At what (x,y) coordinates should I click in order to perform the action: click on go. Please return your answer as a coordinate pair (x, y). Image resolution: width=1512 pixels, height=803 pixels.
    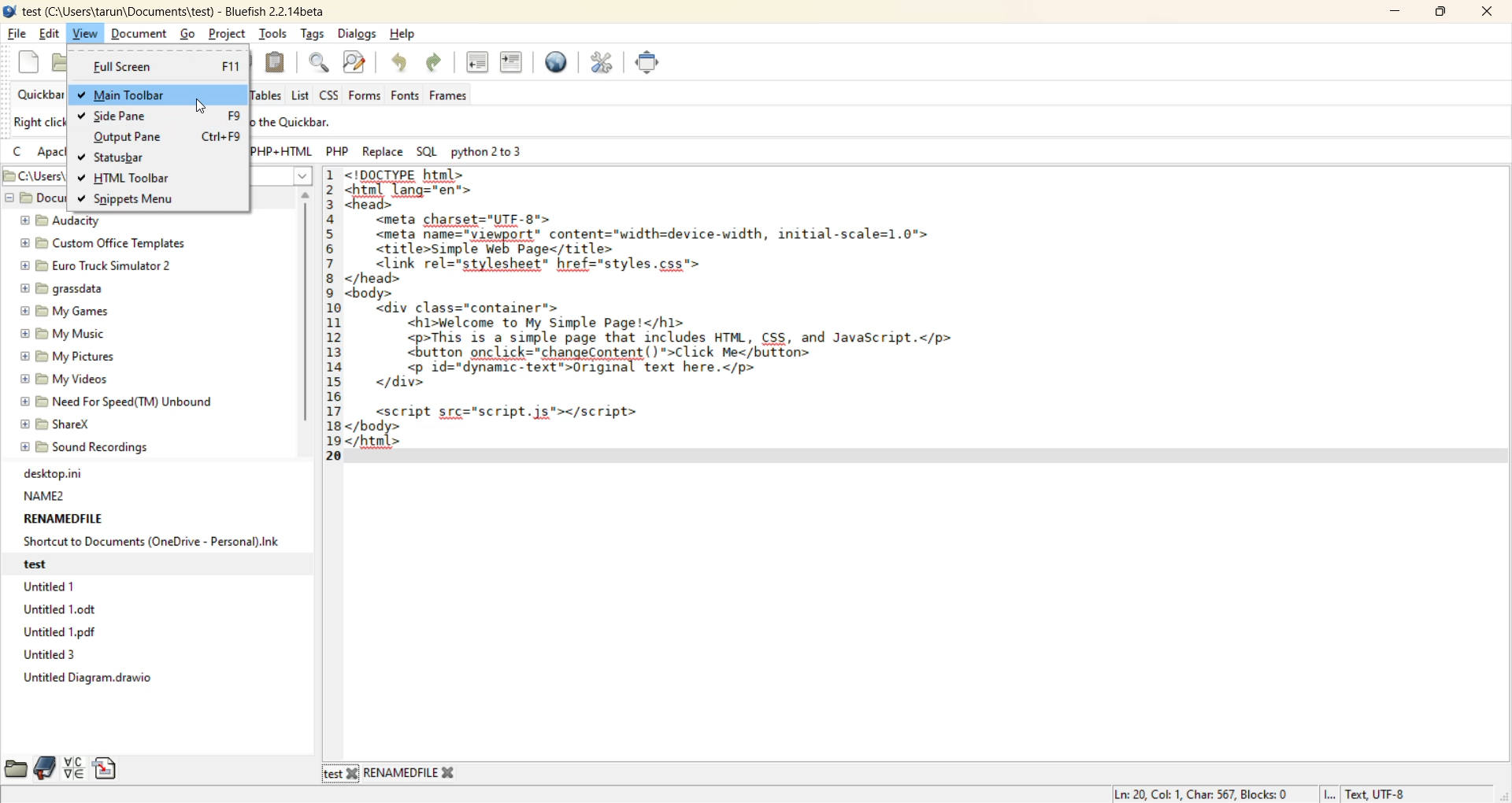
    Looking at the image, I should click on (190, 34).